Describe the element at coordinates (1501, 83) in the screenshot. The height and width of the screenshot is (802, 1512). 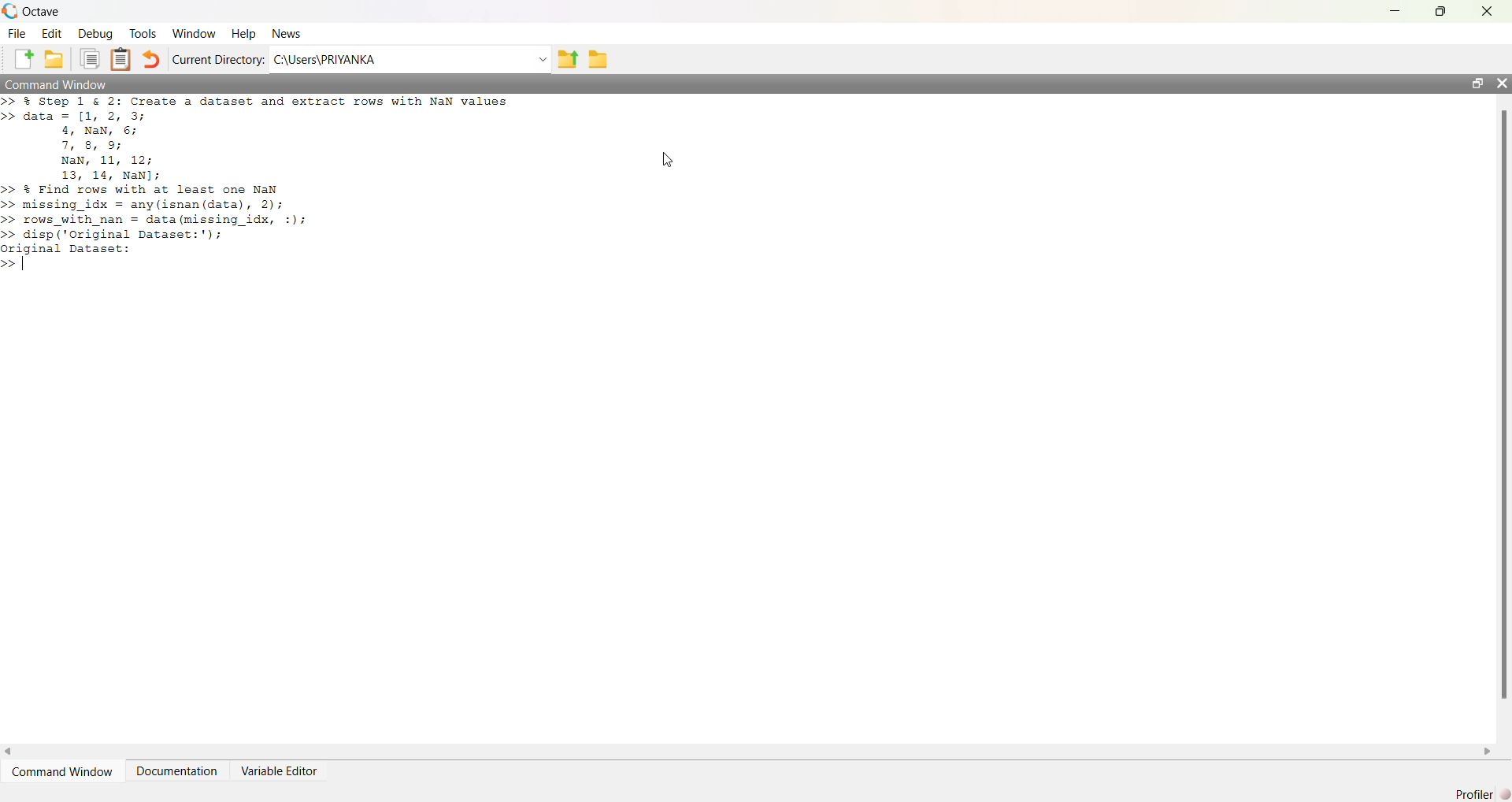
I see `close` at that location.